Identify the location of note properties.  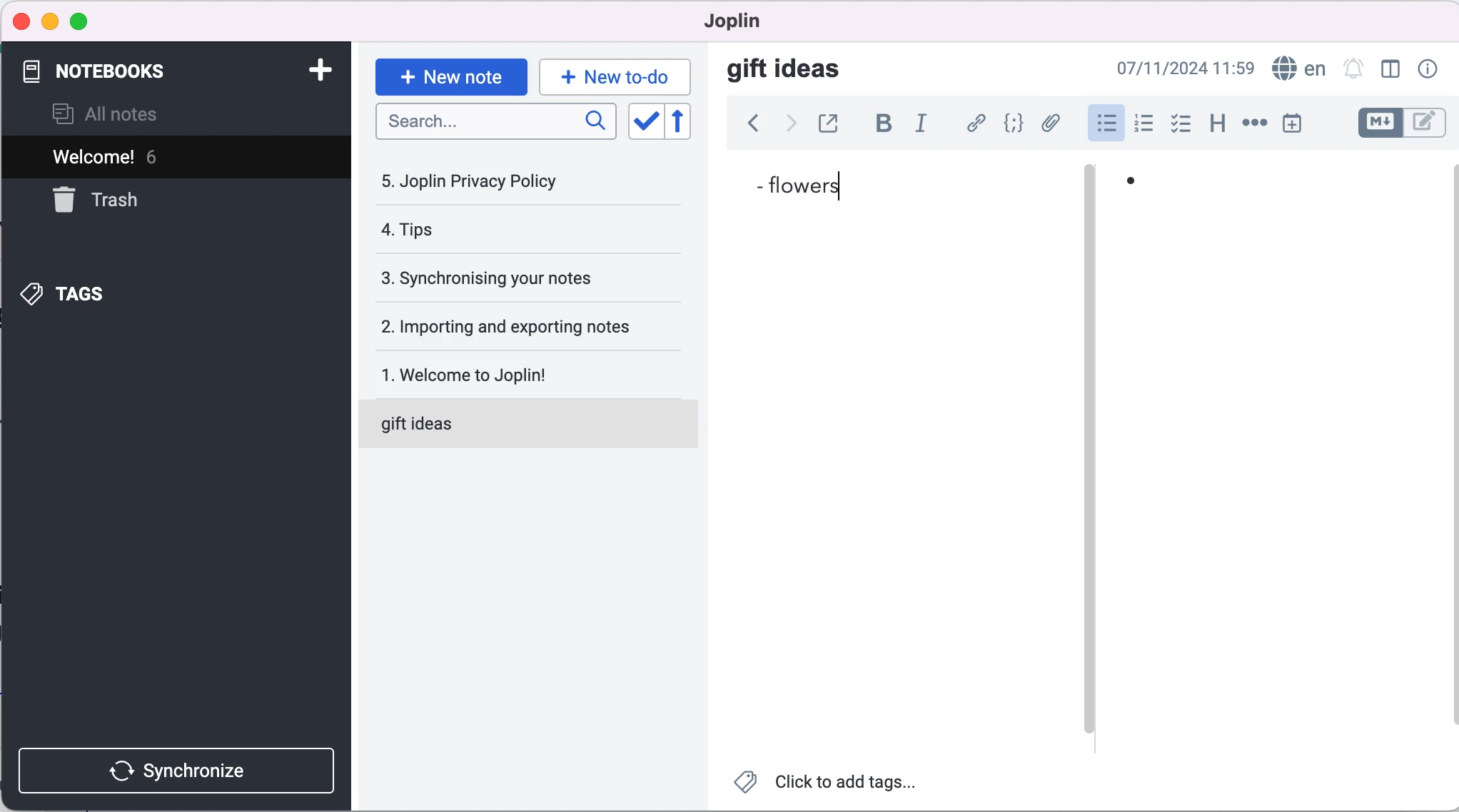
(1426, 70).